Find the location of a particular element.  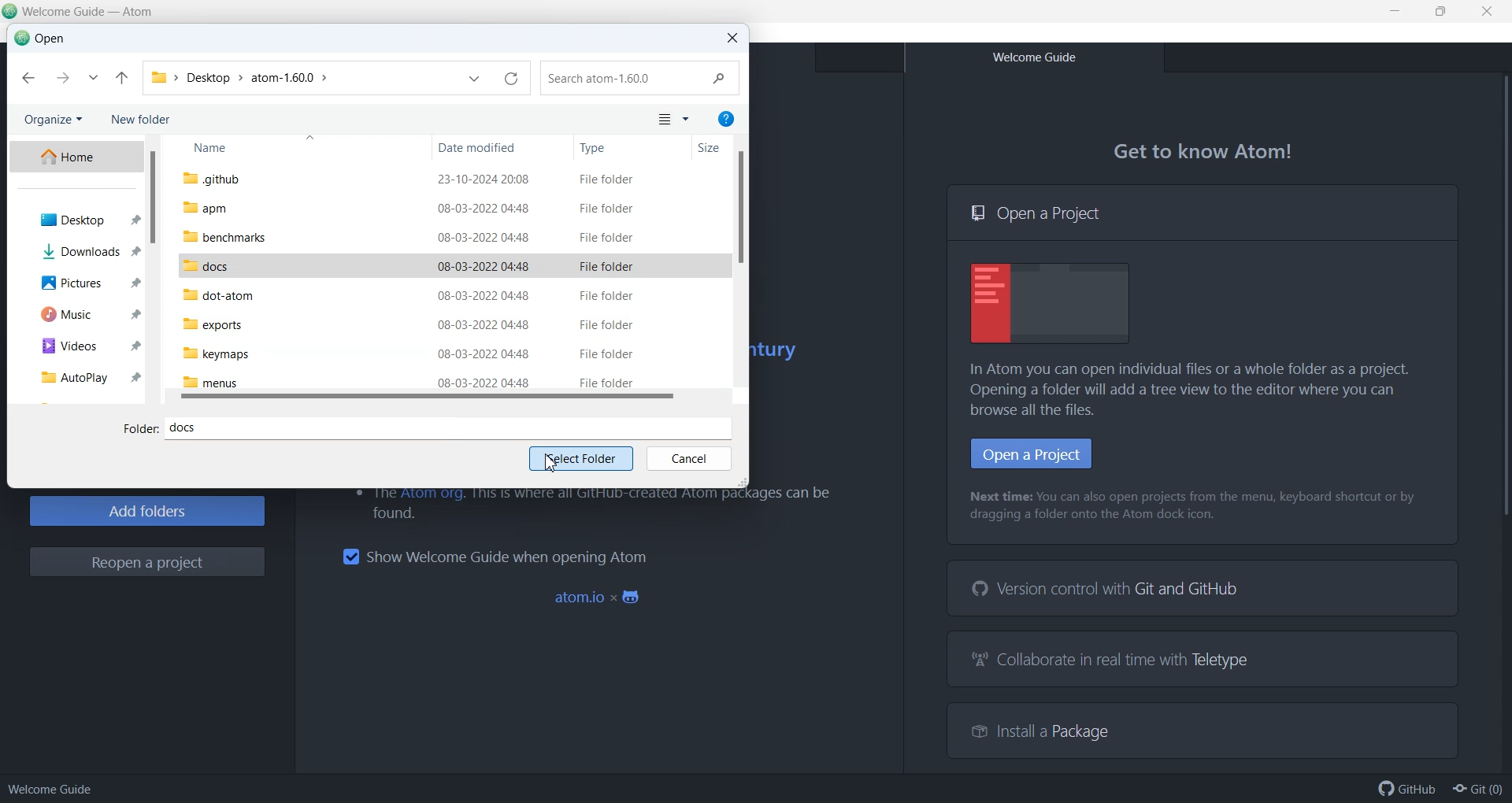

08-03-2022 04:48 is located at coordinates (485, 383).